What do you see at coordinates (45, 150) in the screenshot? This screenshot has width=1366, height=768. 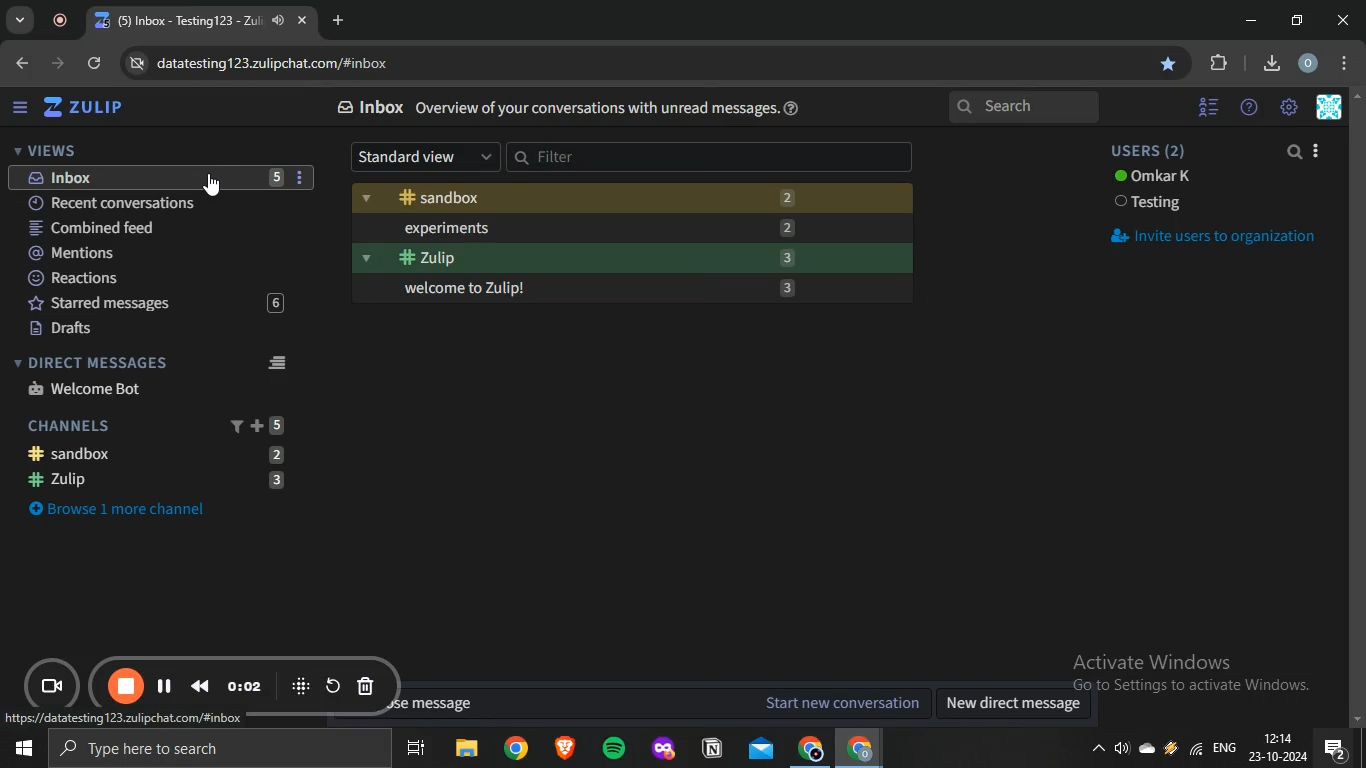 I see `views` at bounding box center [45, 150].